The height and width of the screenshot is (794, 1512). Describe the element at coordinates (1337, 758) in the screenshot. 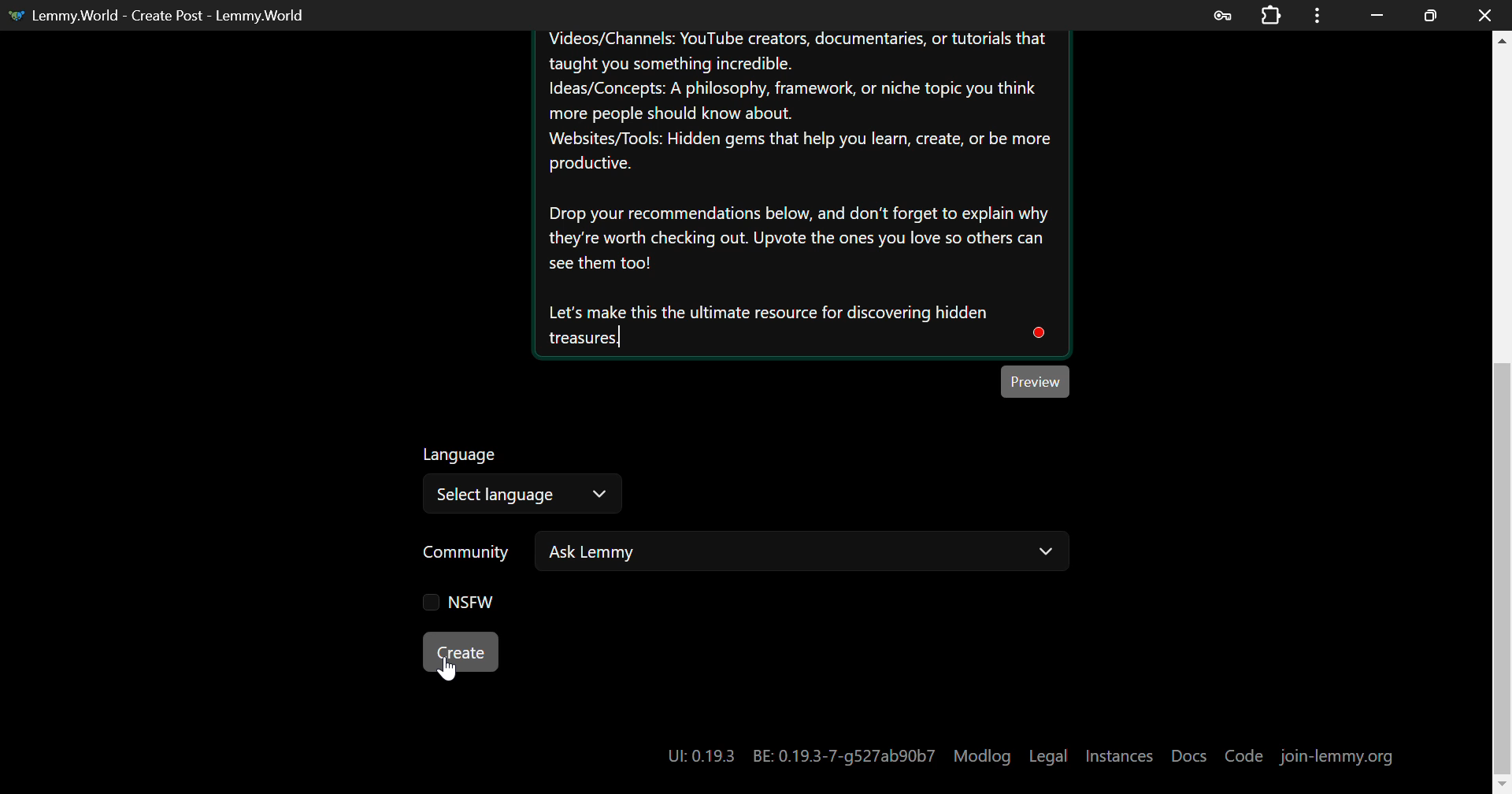

I see `join-lemmy.org` at that location.